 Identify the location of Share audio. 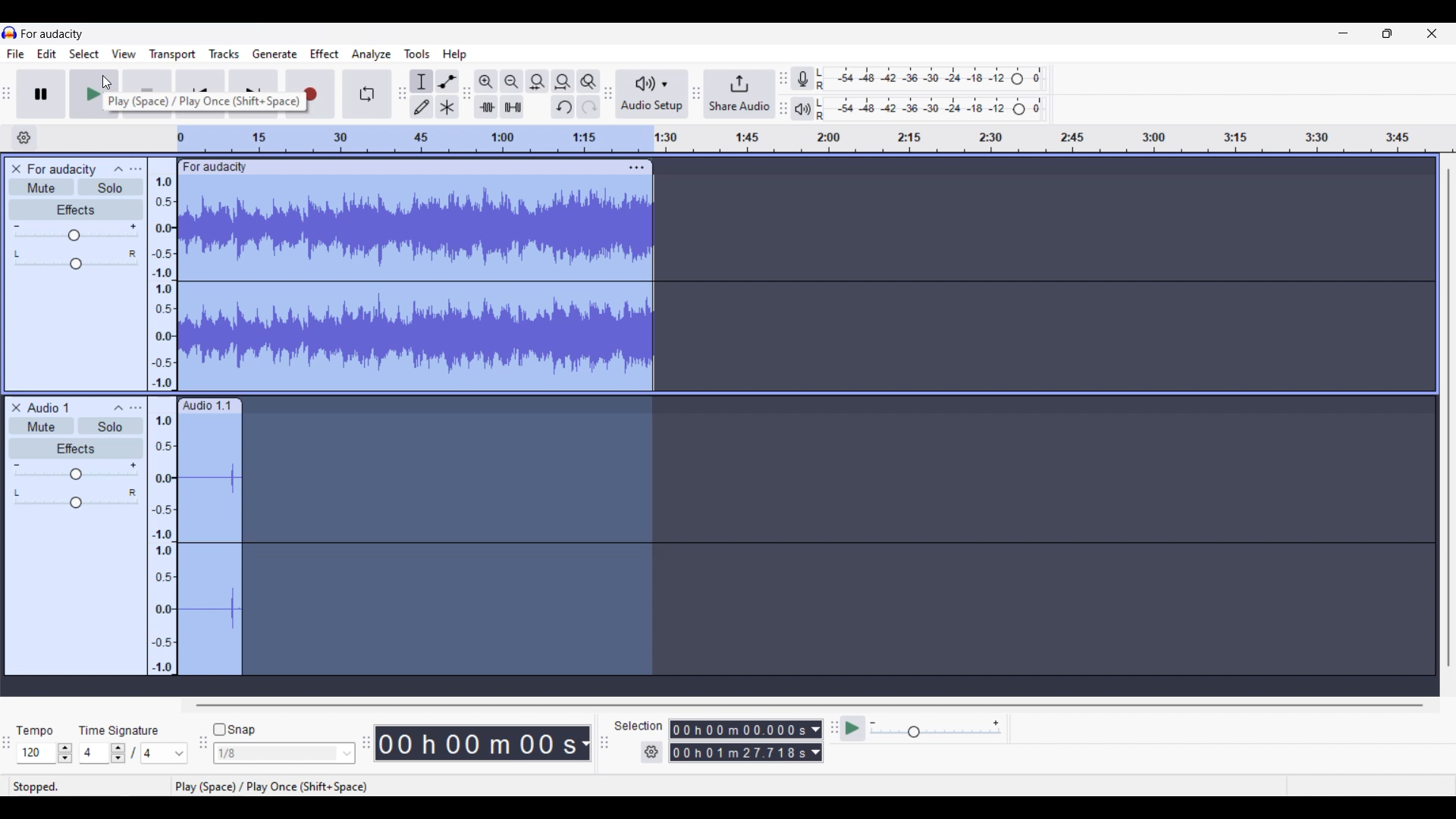
(739, 94).